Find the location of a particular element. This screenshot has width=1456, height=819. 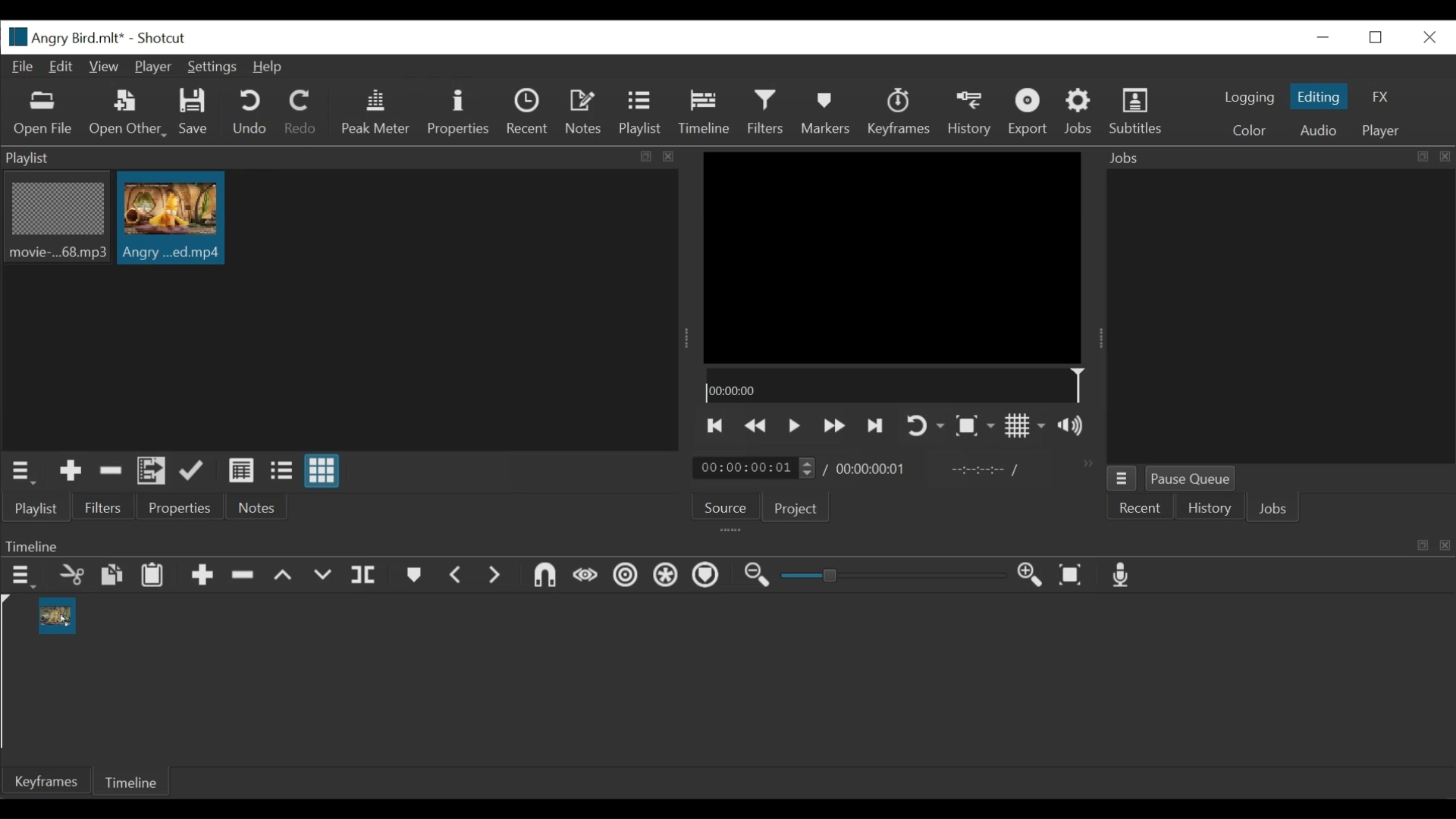

Jobs is located at coordinates (1276, 508).